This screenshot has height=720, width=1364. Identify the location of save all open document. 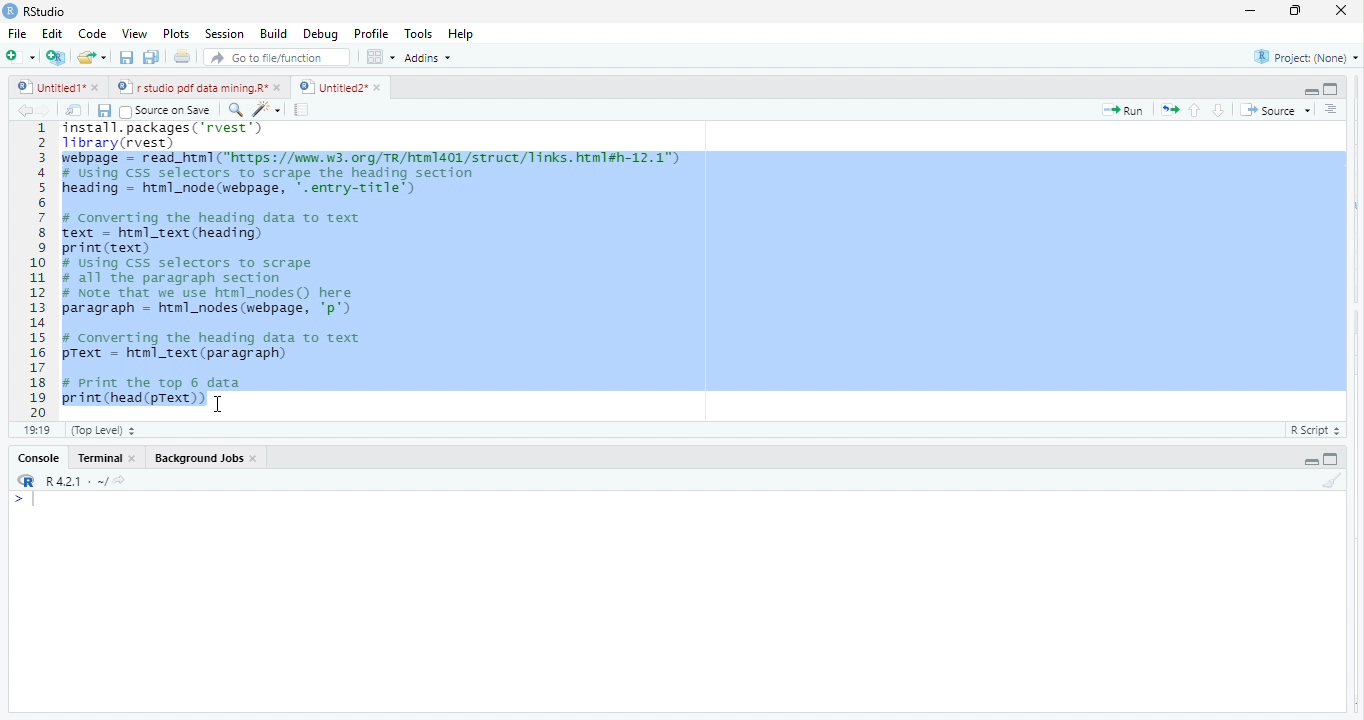
(150, 57).